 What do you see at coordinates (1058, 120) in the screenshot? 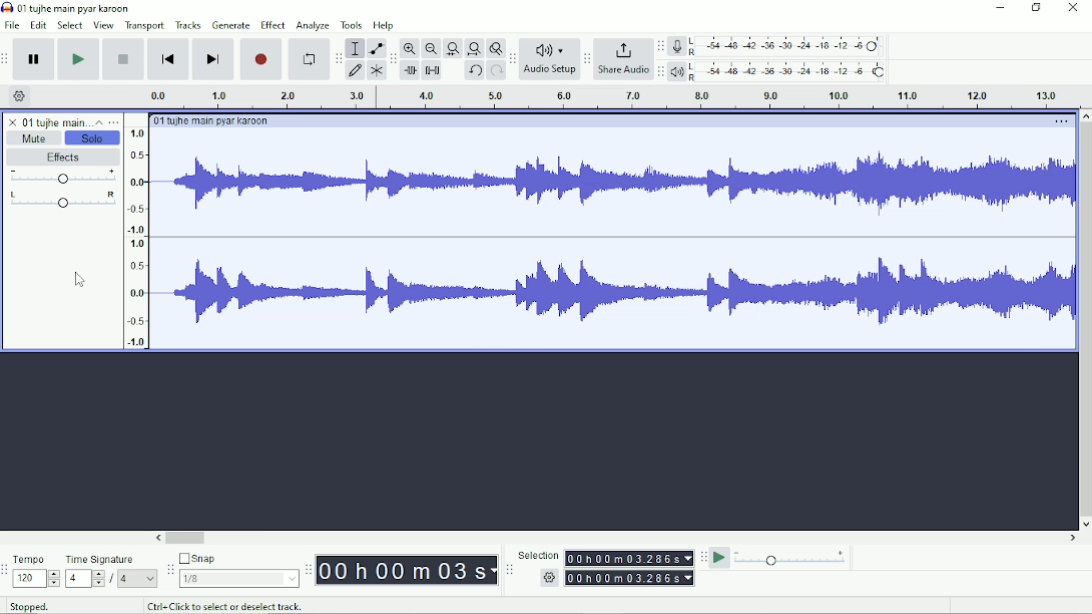
I see `More options` at bounding box center [1058, 120].